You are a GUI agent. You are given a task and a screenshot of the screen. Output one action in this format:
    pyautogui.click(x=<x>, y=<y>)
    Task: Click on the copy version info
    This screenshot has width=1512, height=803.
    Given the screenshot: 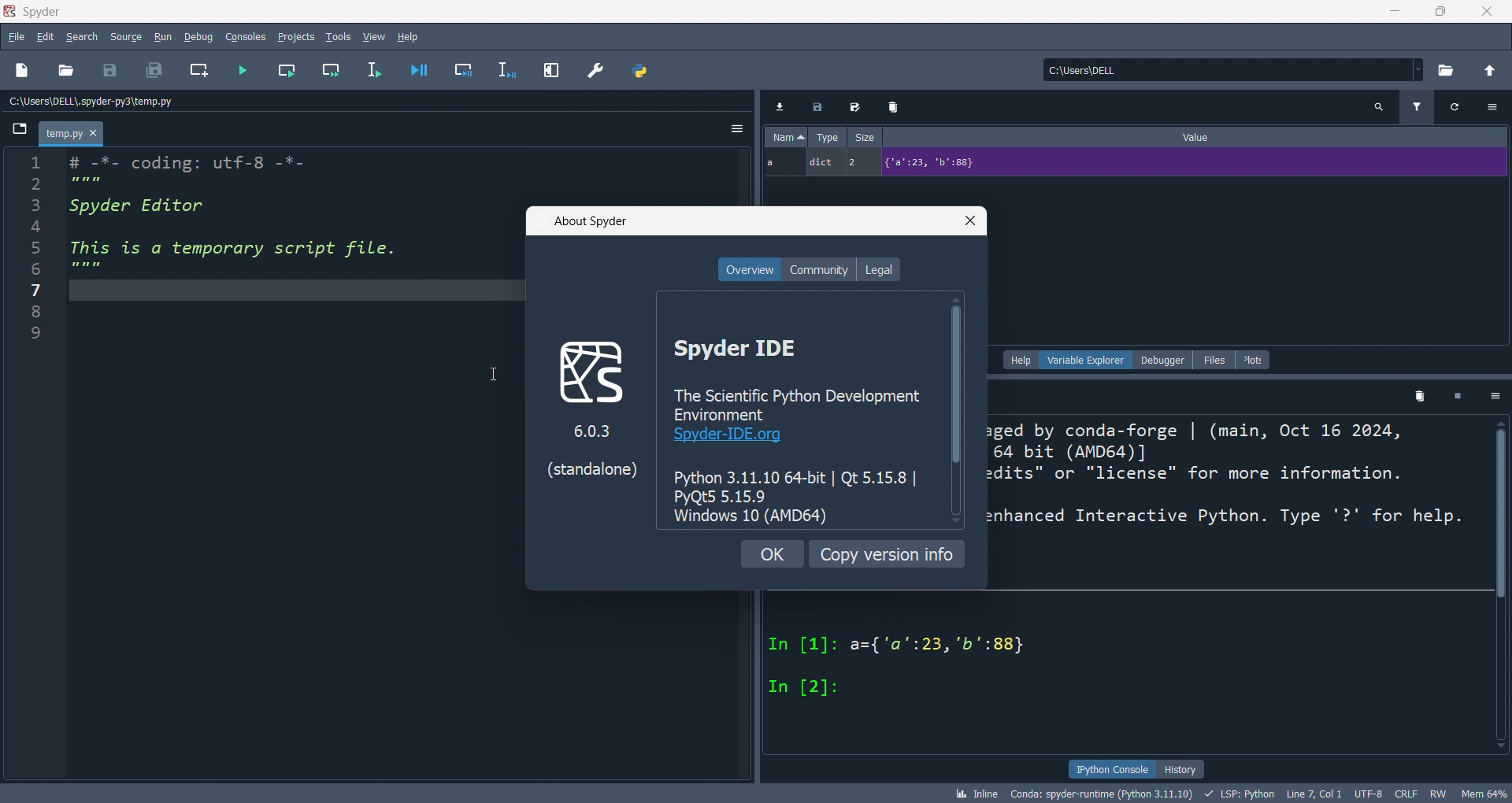 What is the action you would take?
    pyautogui.click(x=887, y=553)
    